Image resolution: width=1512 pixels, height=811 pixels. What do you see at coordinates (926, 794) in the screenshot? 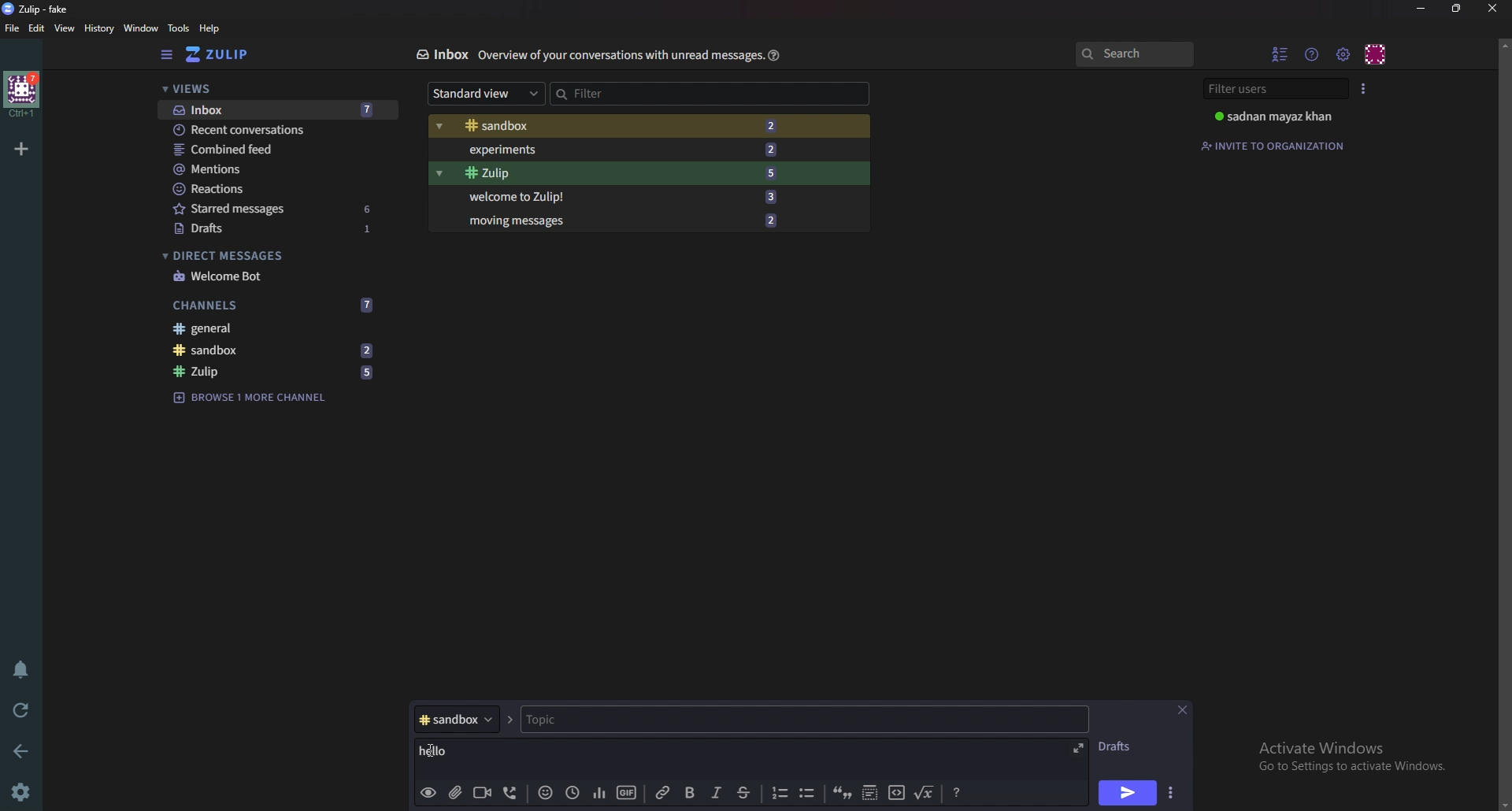
I see `Math` at bounding box center [926, 794].